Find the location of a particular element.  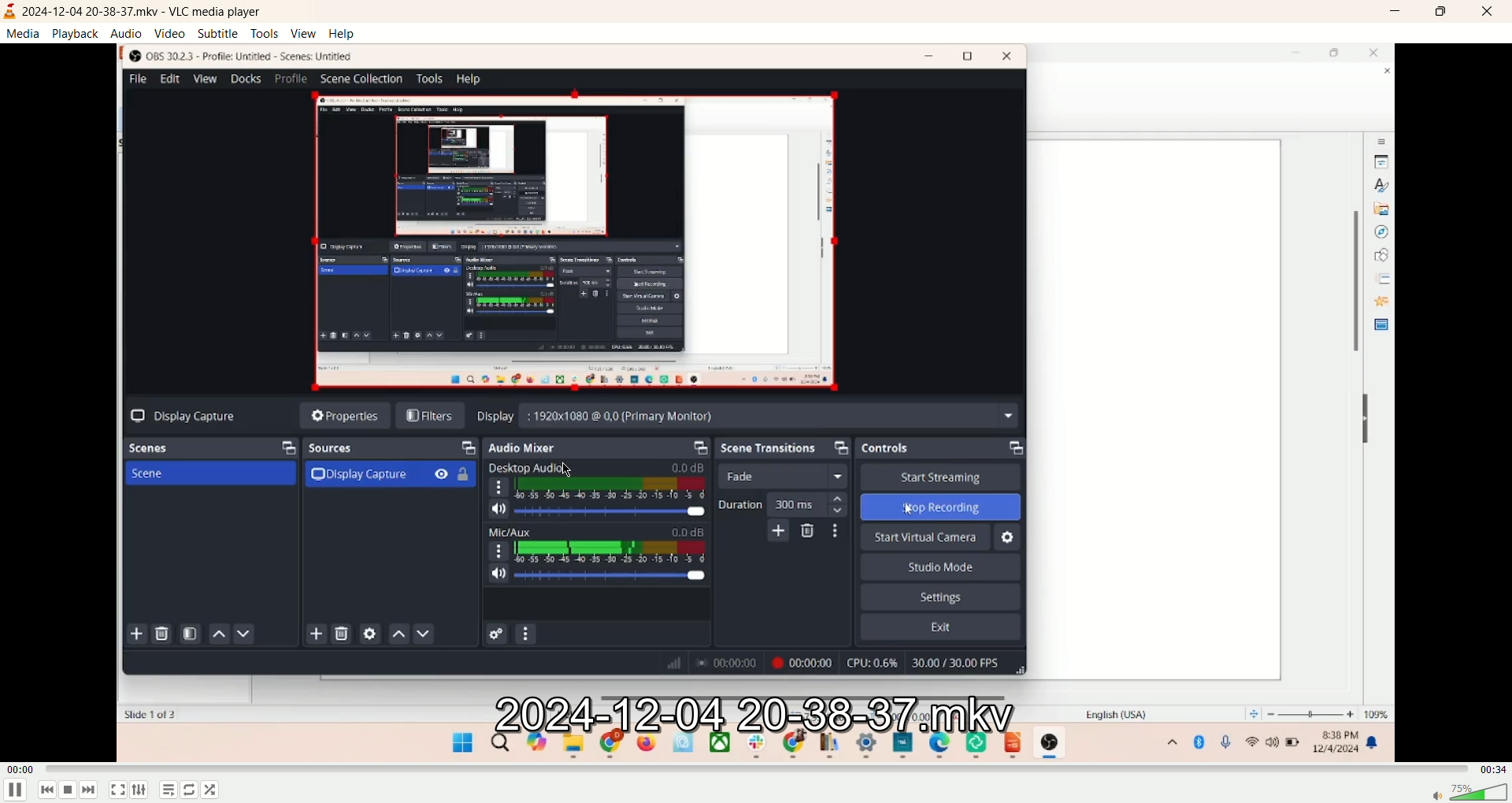

extended setting is located at coordinates (139, 790).